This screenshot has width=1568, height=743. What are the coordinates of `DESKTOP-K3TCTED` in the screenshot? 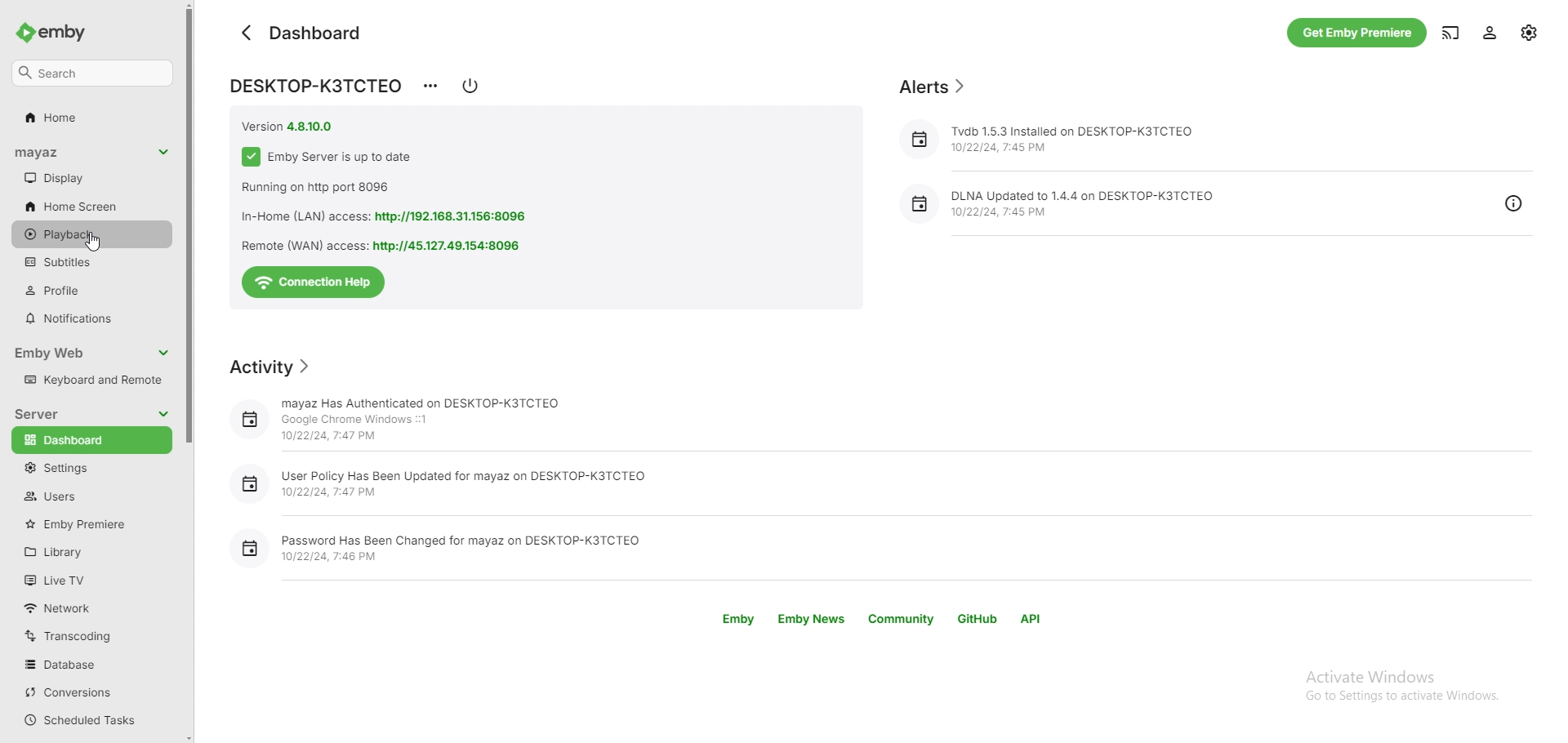 It's located at (317, 85).